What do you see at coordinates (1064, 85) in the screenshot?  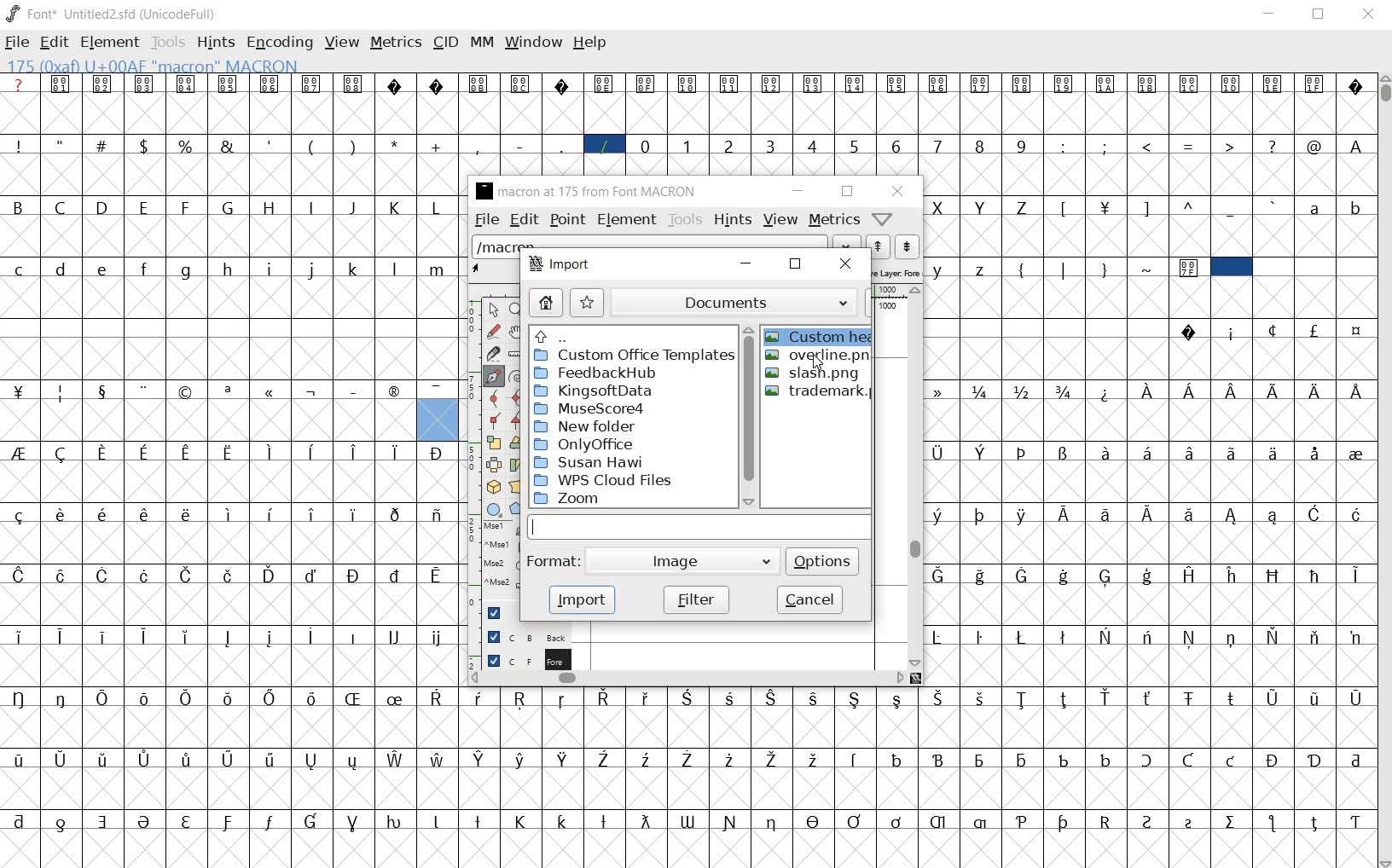 I see `Symbol` at bounding box center [1064, 85].